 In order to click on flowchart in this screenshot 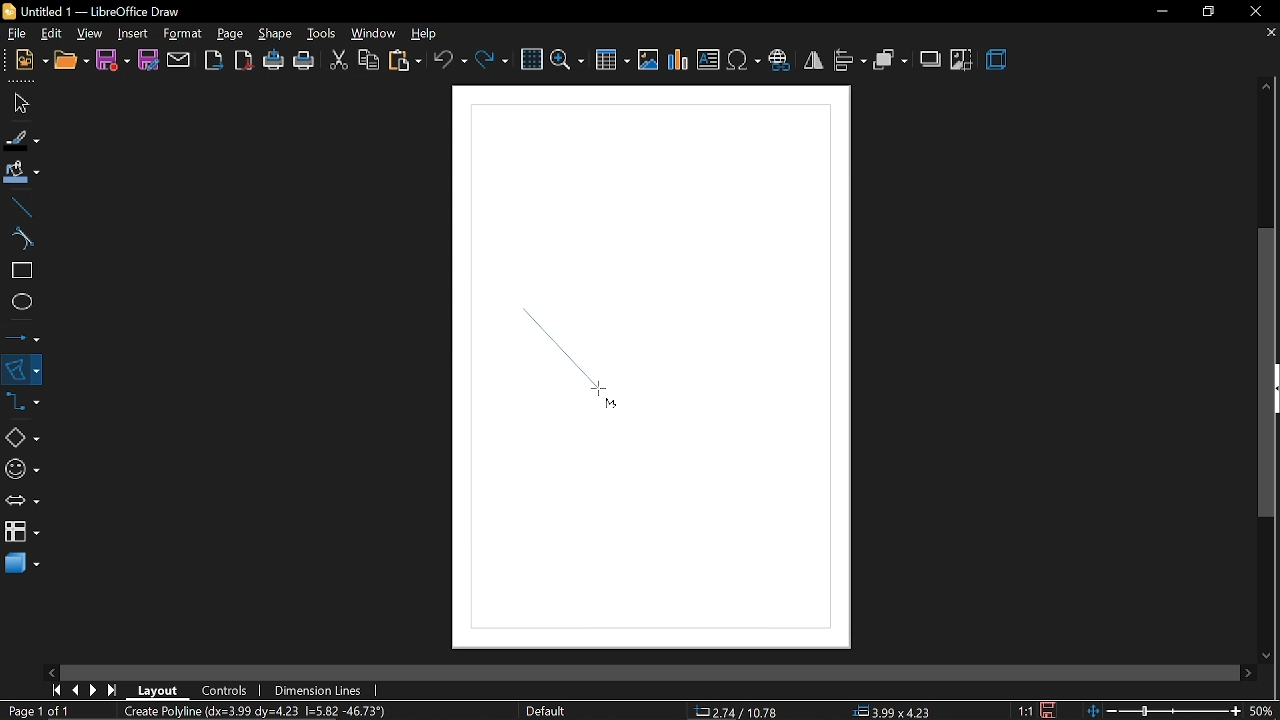, I will do `click(21, 532)`.